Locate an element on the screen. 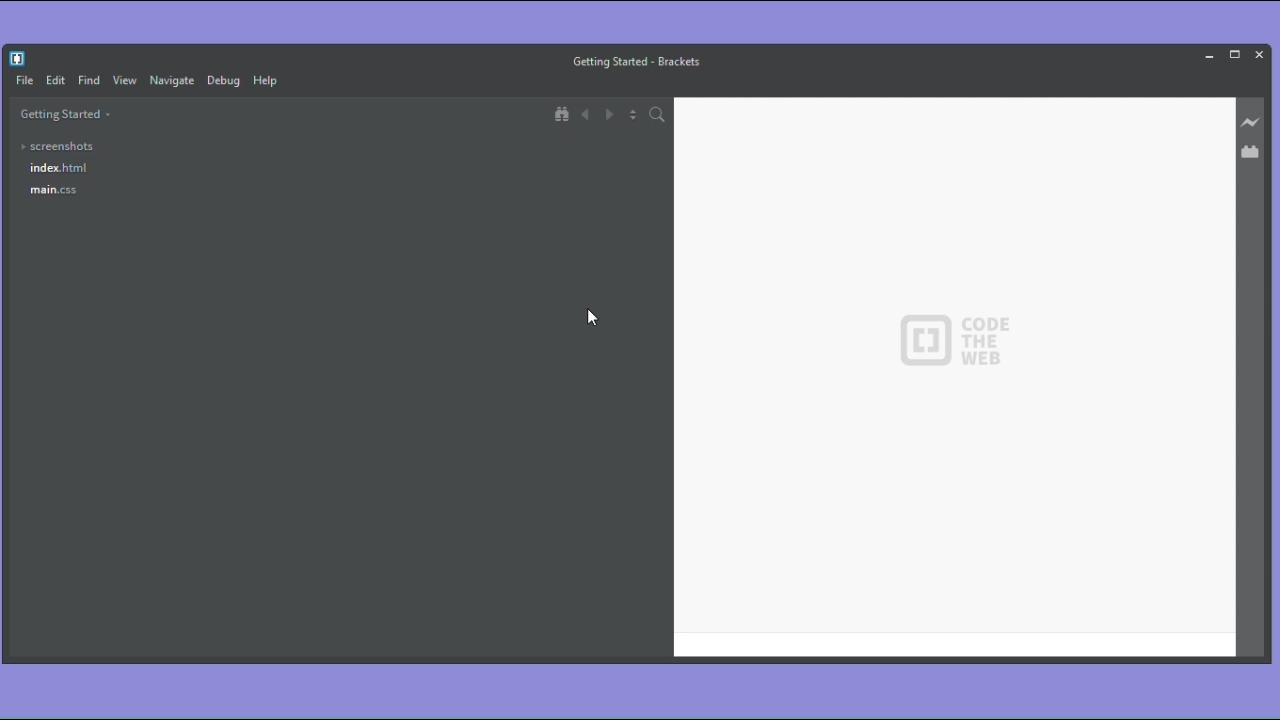 Image resolution: width=1280 pixels, height=720 pixels. Navigate is located at coordinates (174, 82).